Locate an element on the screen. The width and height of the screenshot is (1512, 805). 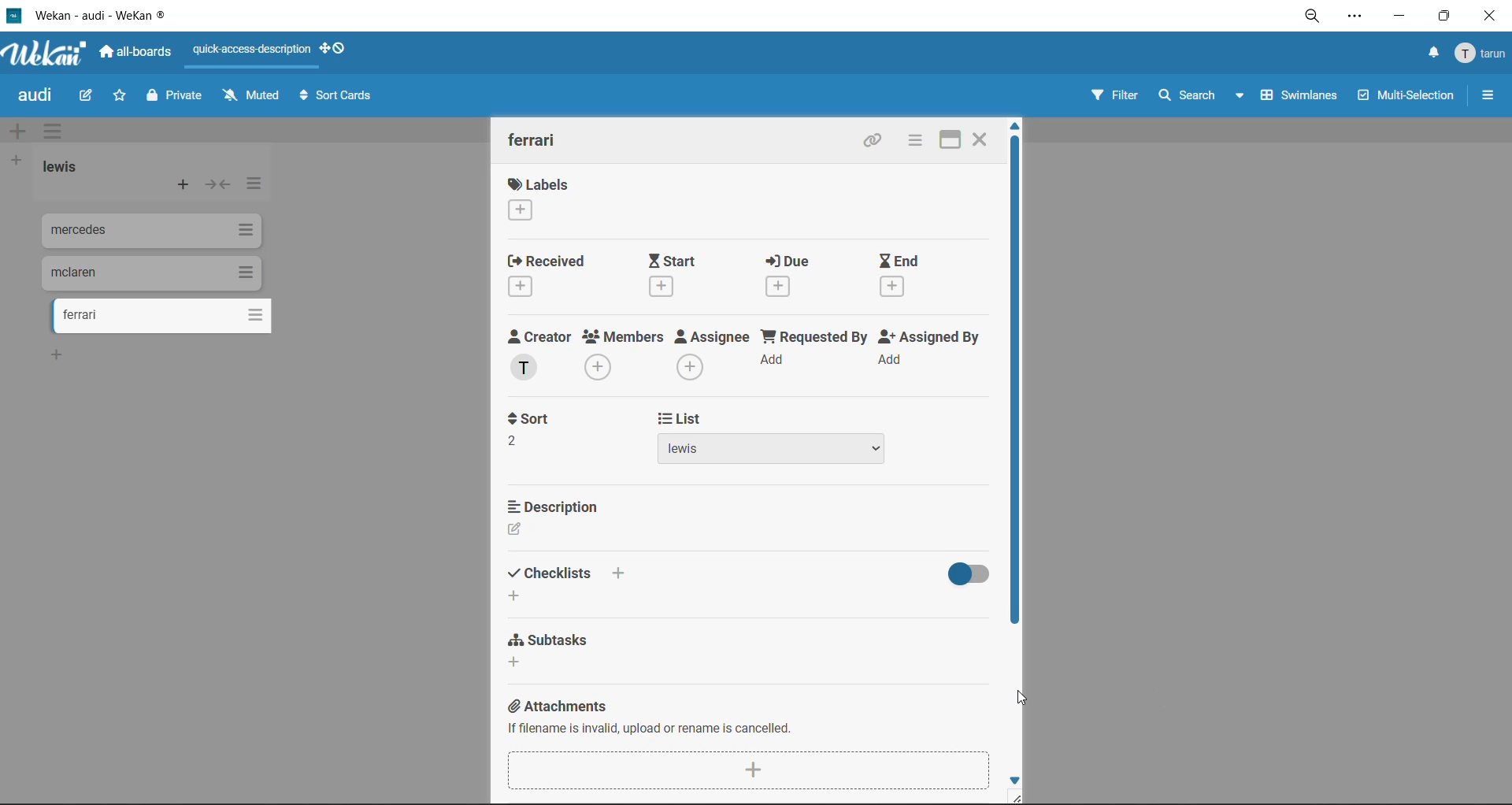
list is located at coordinates (770, 438).